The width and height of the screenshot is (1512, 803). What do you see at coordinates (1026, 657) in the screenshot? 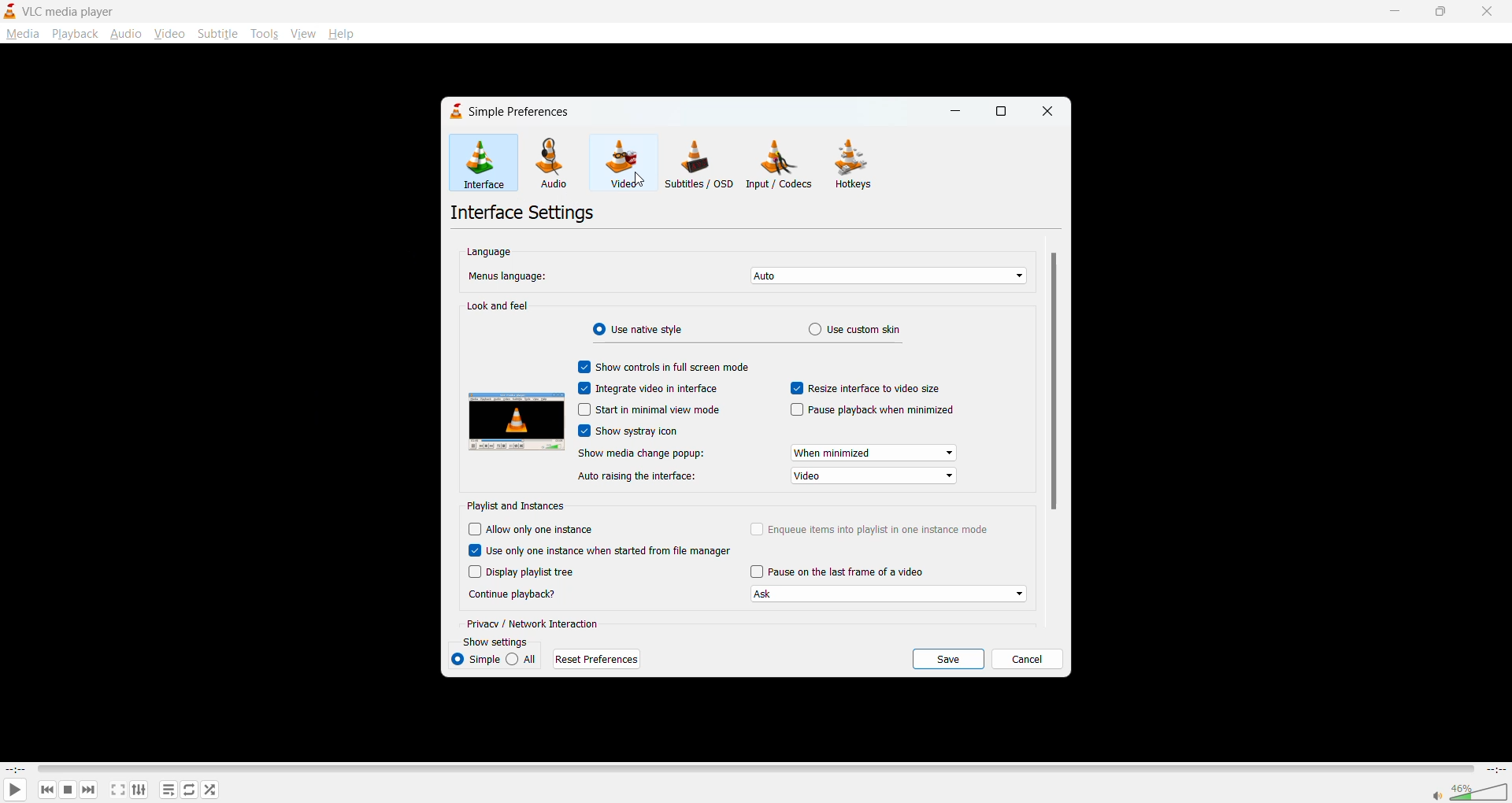
I see `cancel` at bounding box center [1026, 657].